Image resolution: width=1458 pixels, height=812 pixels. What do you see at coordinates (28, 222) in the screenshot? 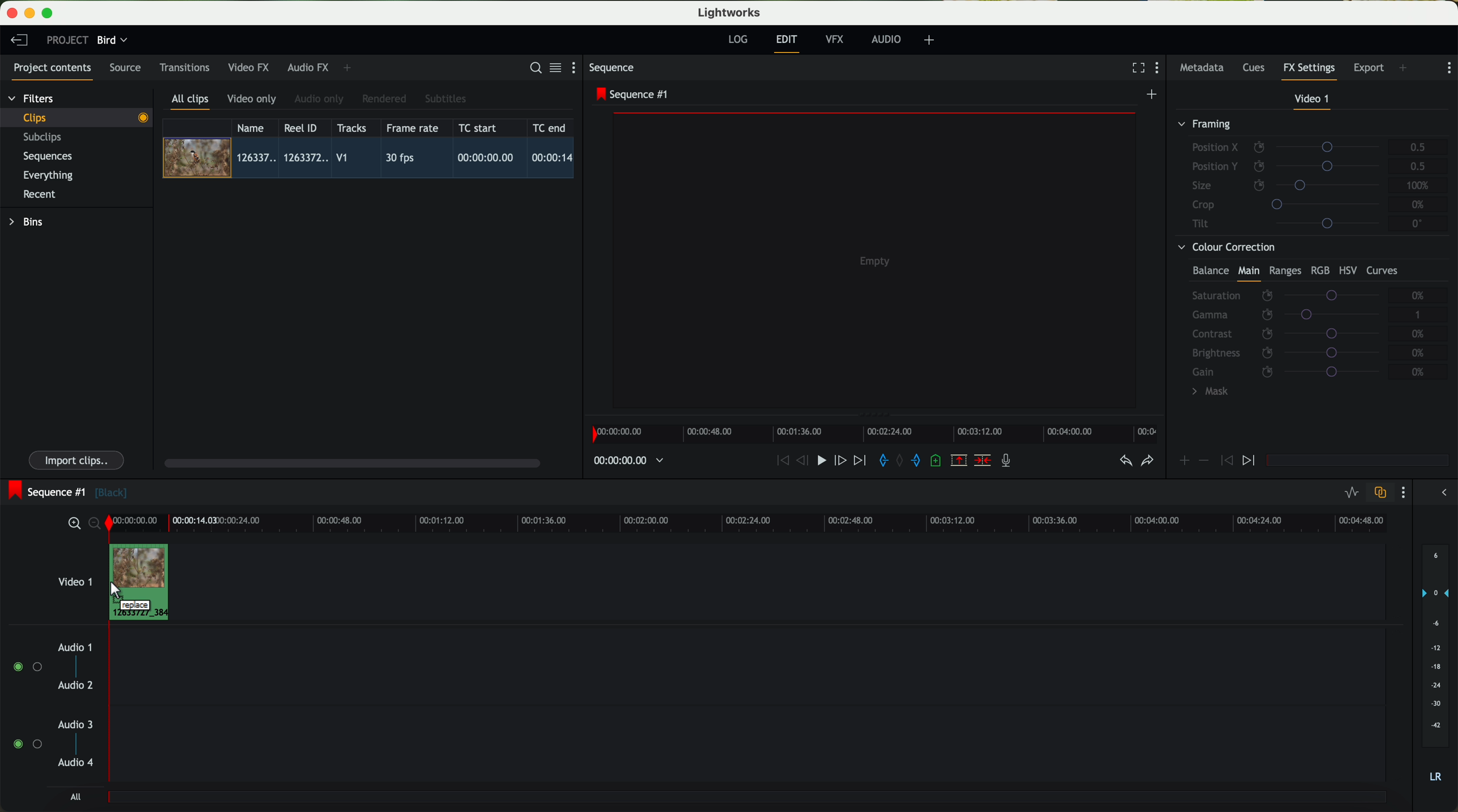
I see `bins` at bounding box center [28, 222].